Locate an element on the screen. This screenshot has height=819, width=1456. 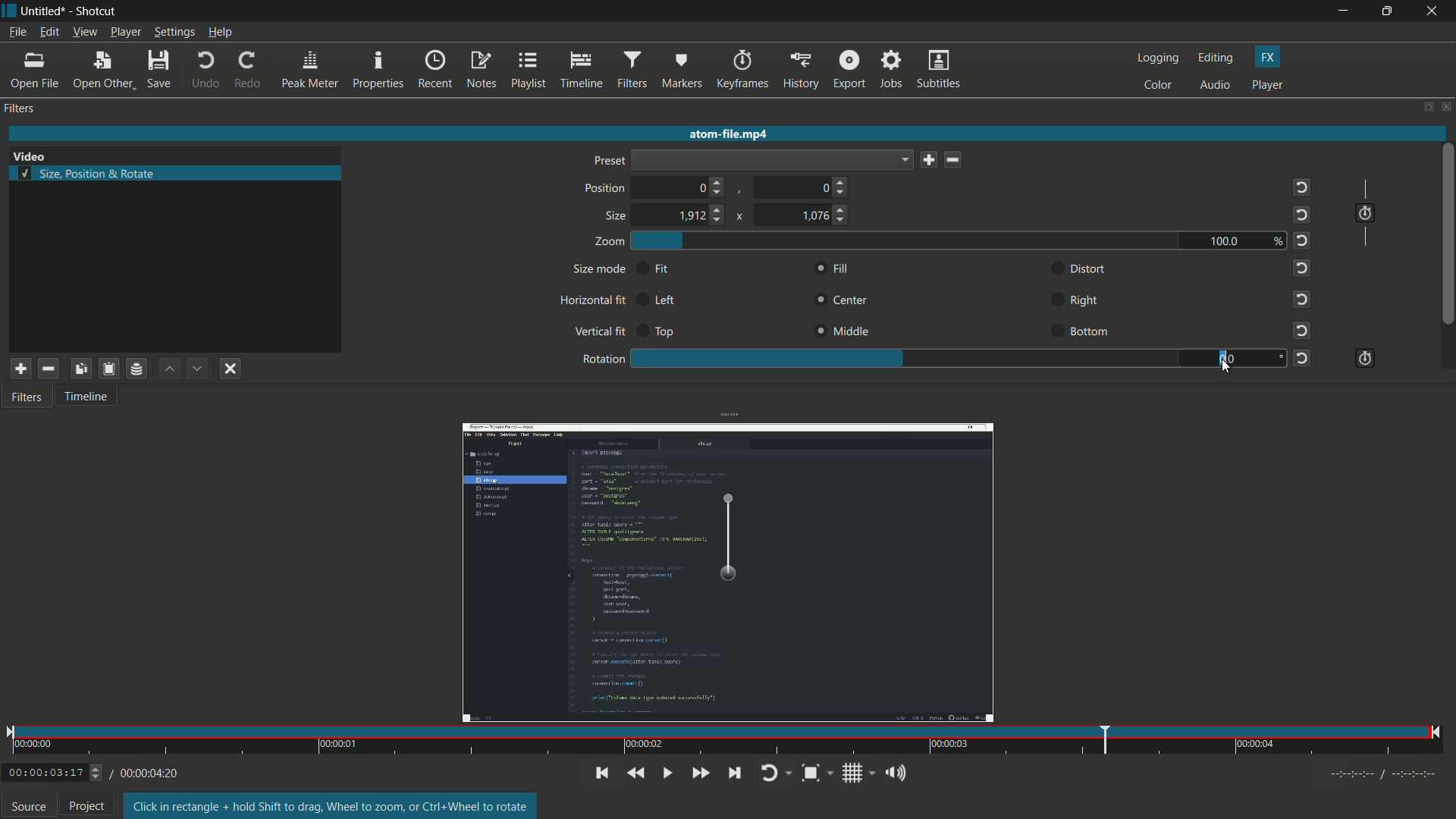
vertical fit is located at coordinates (598, 332).